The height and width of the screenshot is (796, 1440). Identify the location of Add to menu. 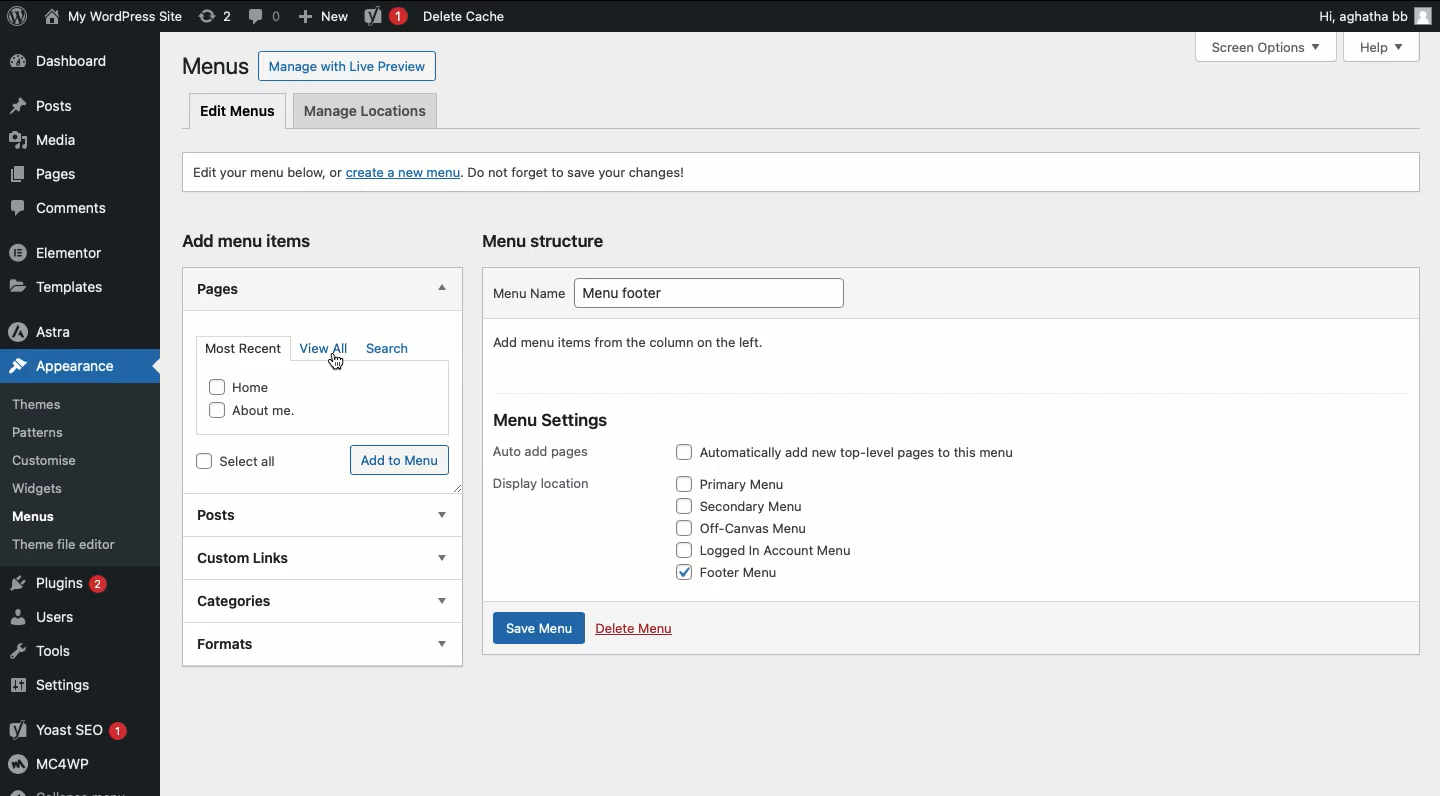
(399, 459).